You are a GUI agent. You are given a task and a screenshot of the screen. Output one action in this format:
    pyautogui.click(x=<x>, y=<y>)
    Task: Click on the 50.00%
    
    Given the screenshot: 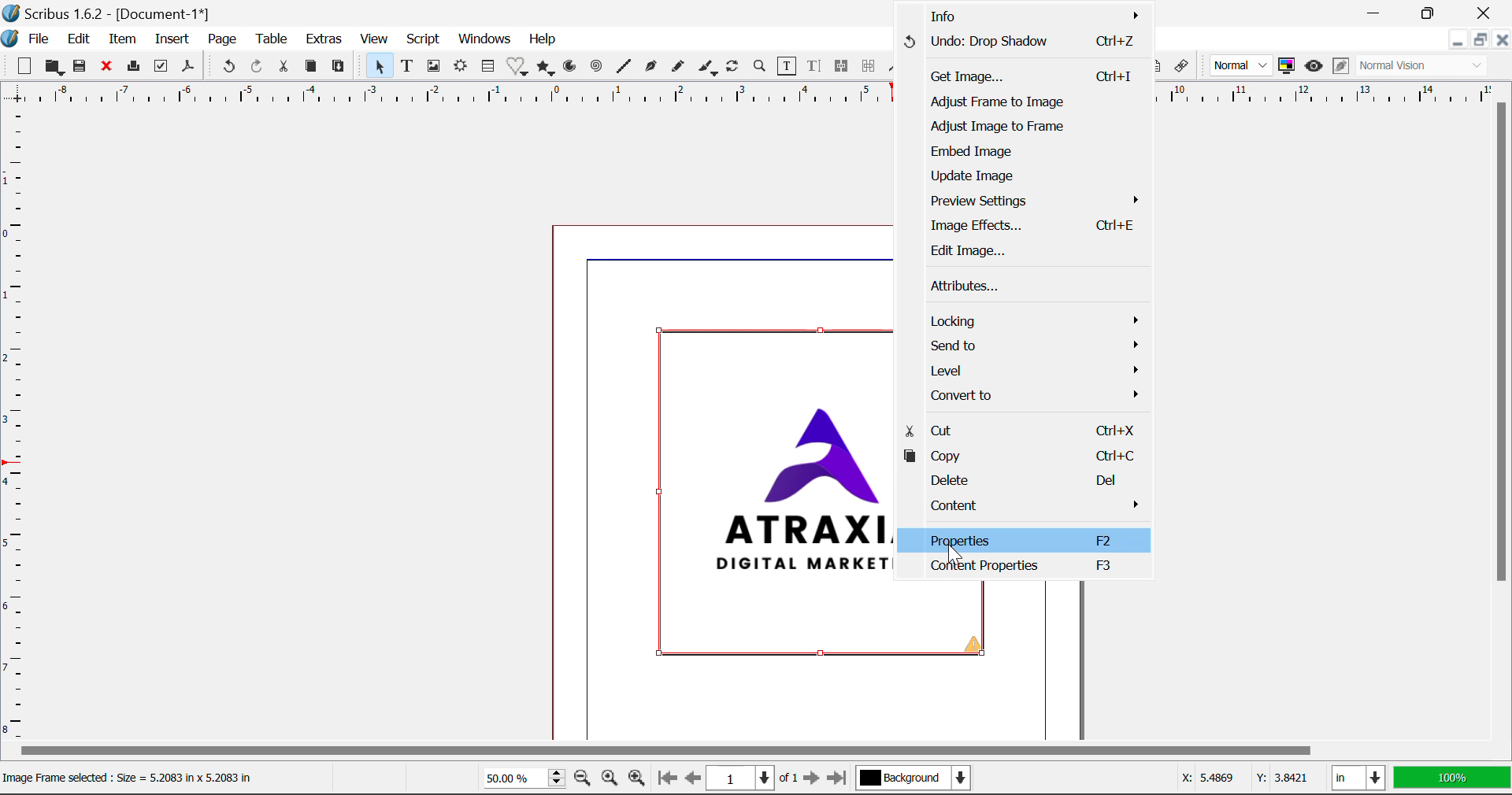 What is the action you would take?
    pyautogui.click(x=521, y=777)
    